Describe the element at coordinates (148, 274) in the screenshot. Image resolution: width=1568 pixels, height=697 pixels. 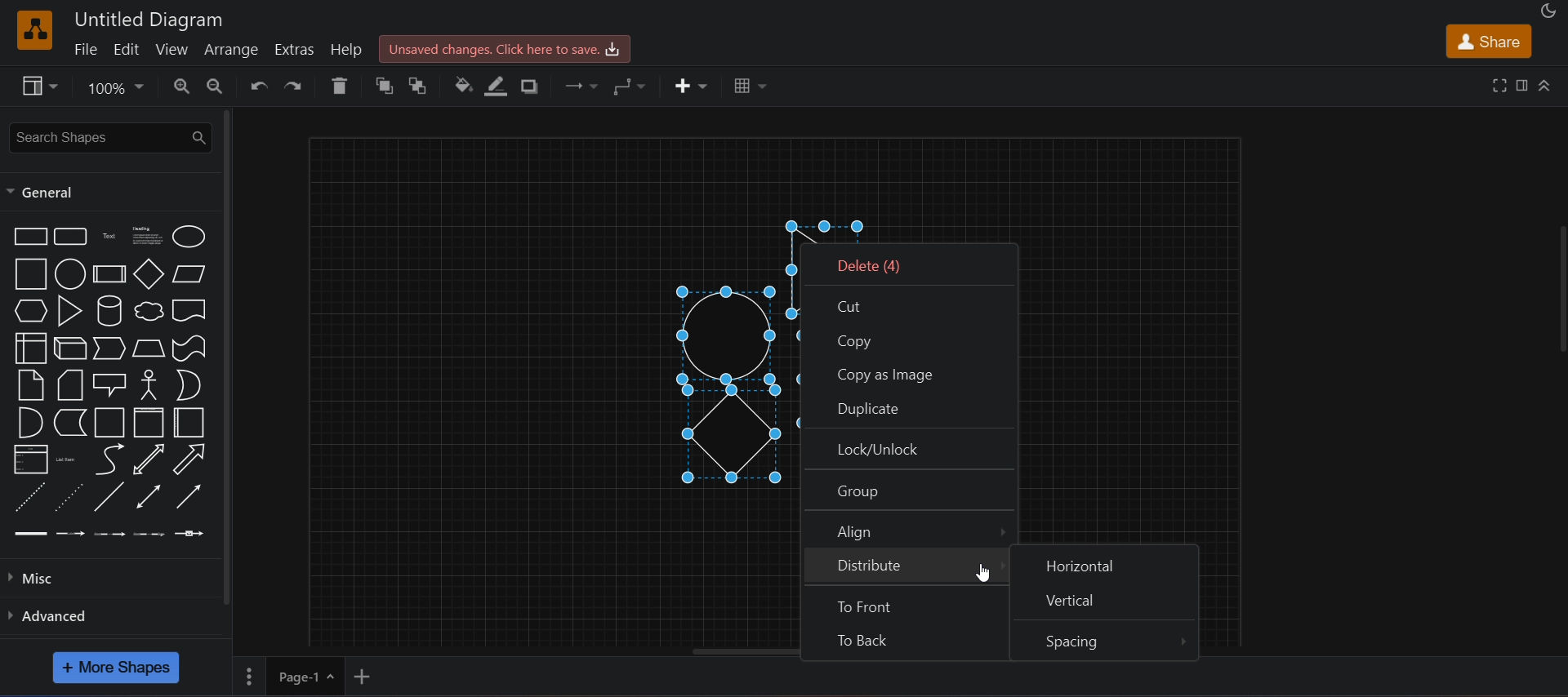
I see `diamond` at that location.